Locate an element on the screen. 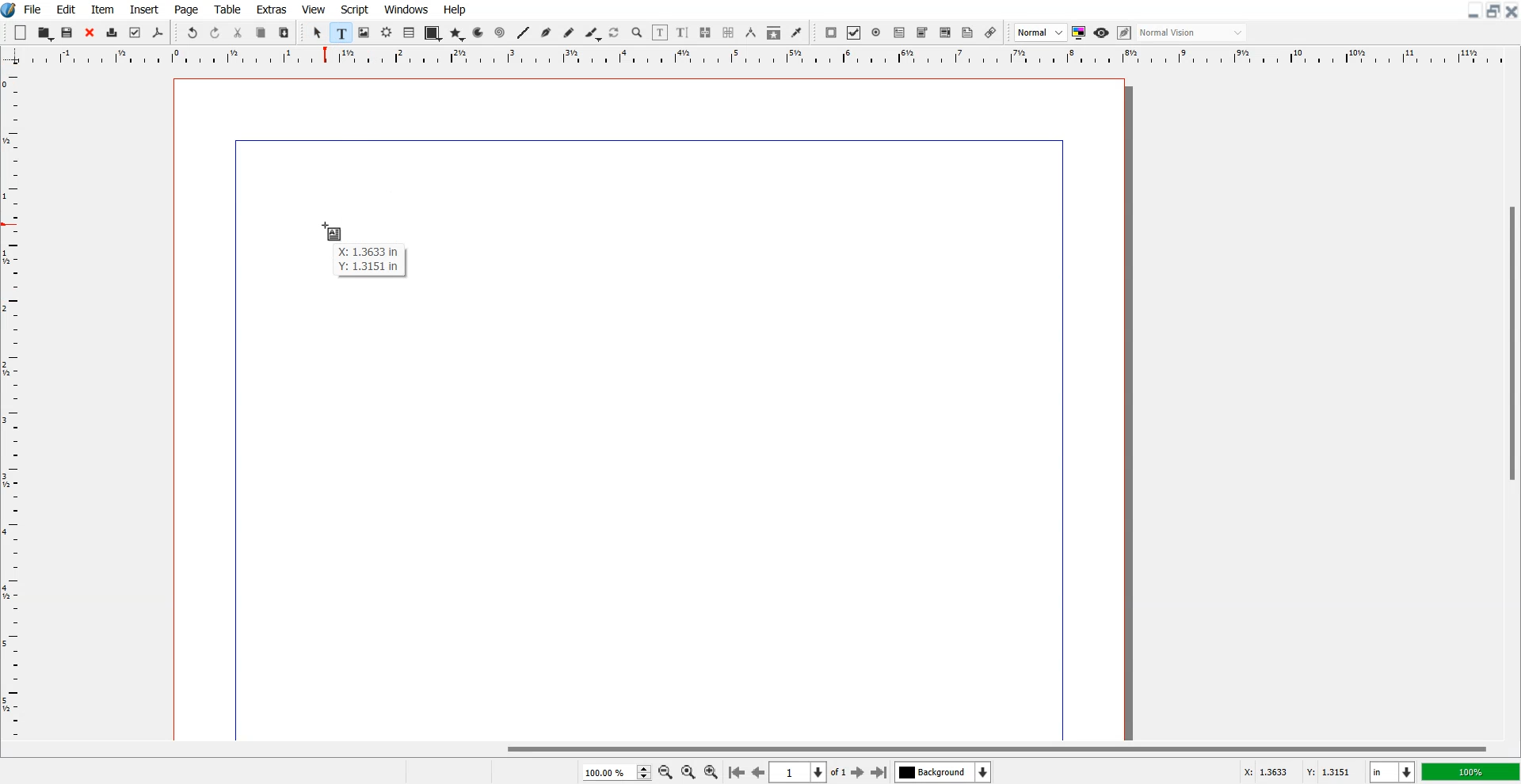 The height and width of the screenshot is (784, 1521). Preflight verifier is located at coordinates (134, 32).